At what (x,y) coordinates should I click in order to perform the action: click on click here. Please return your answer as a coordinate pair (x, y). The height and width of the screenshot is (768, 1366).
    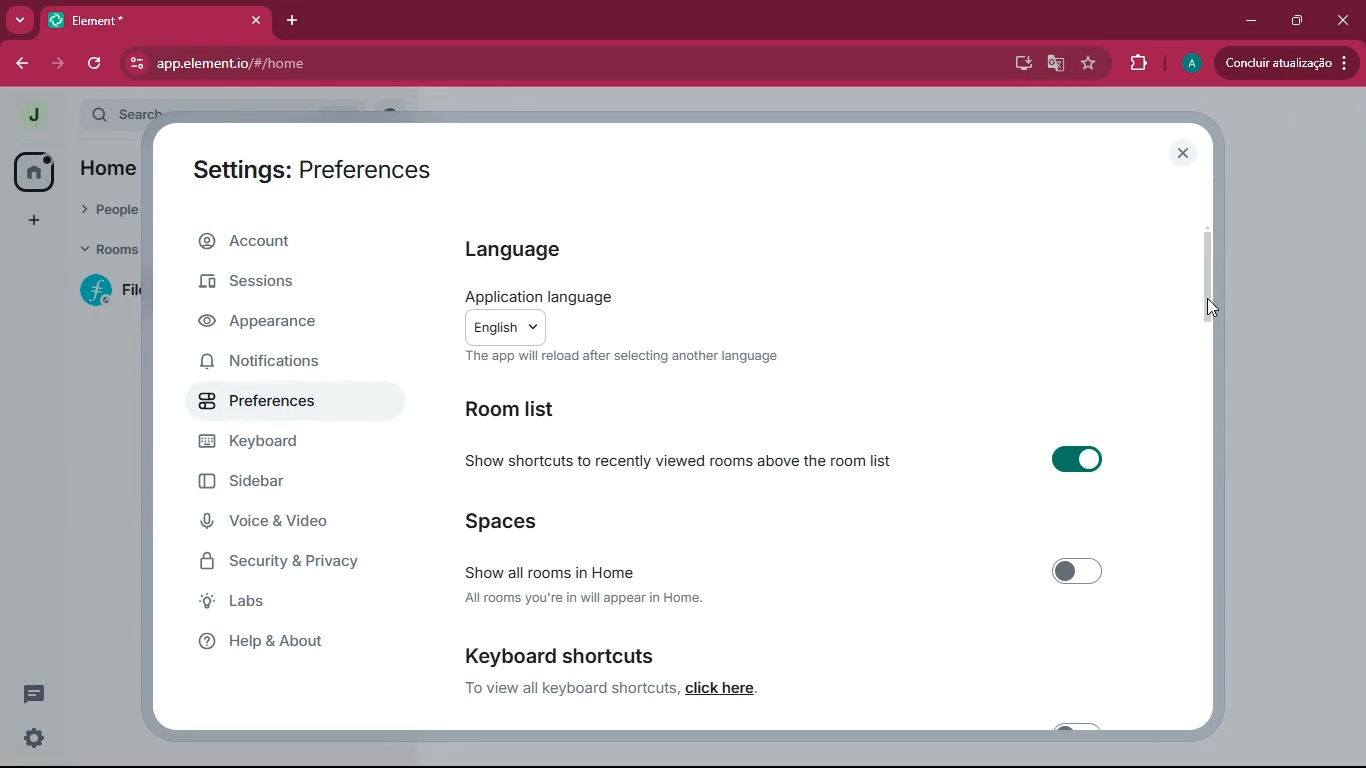
    Looking at the image, I should click on (721, 688).